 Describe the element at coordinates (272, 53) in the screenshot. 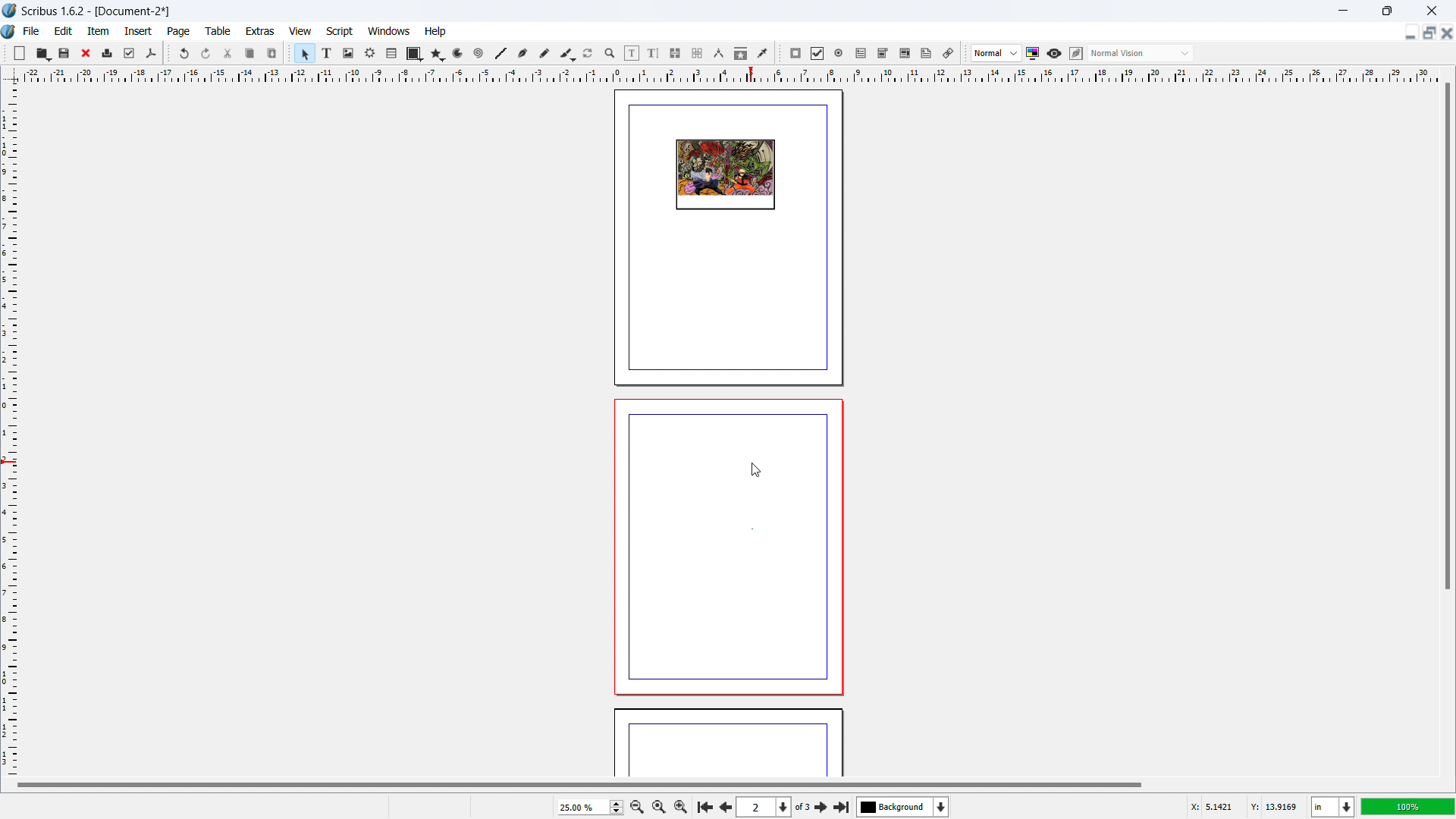

I see `paste` at that location.